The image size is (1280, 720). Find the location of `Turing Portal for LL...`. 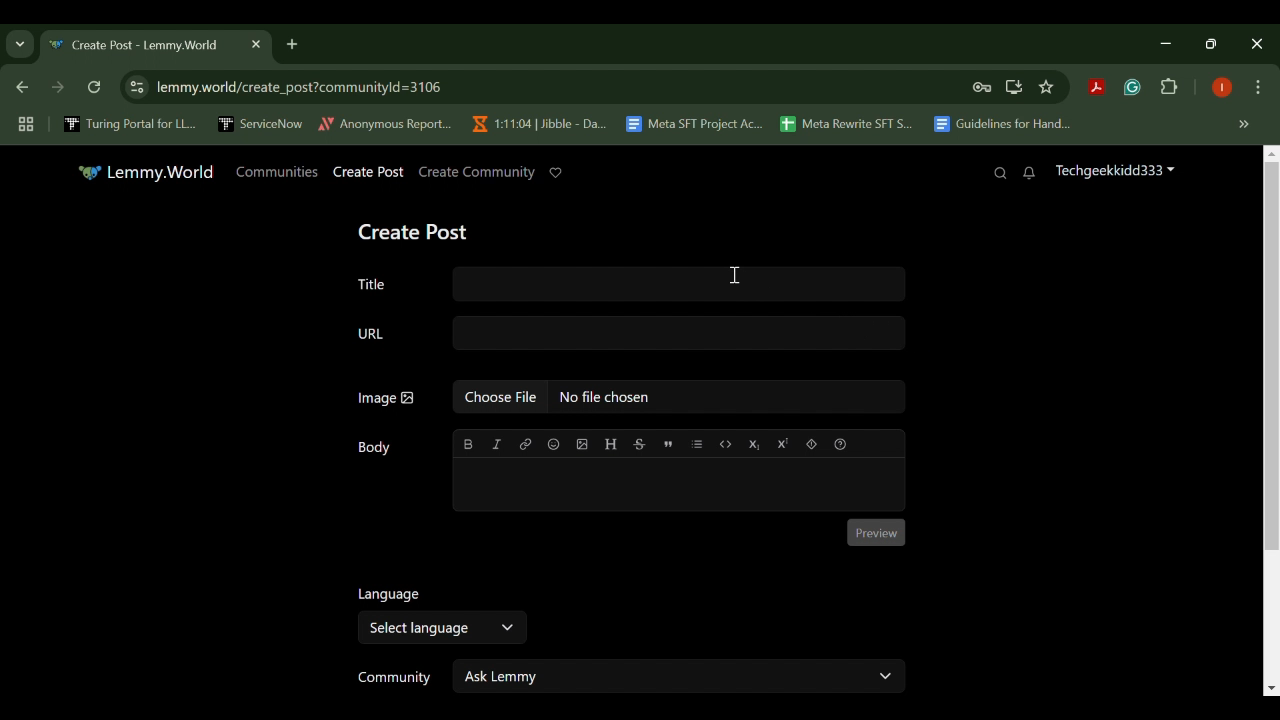

Turing Portal for LL... is located at coordinates (130, 126).